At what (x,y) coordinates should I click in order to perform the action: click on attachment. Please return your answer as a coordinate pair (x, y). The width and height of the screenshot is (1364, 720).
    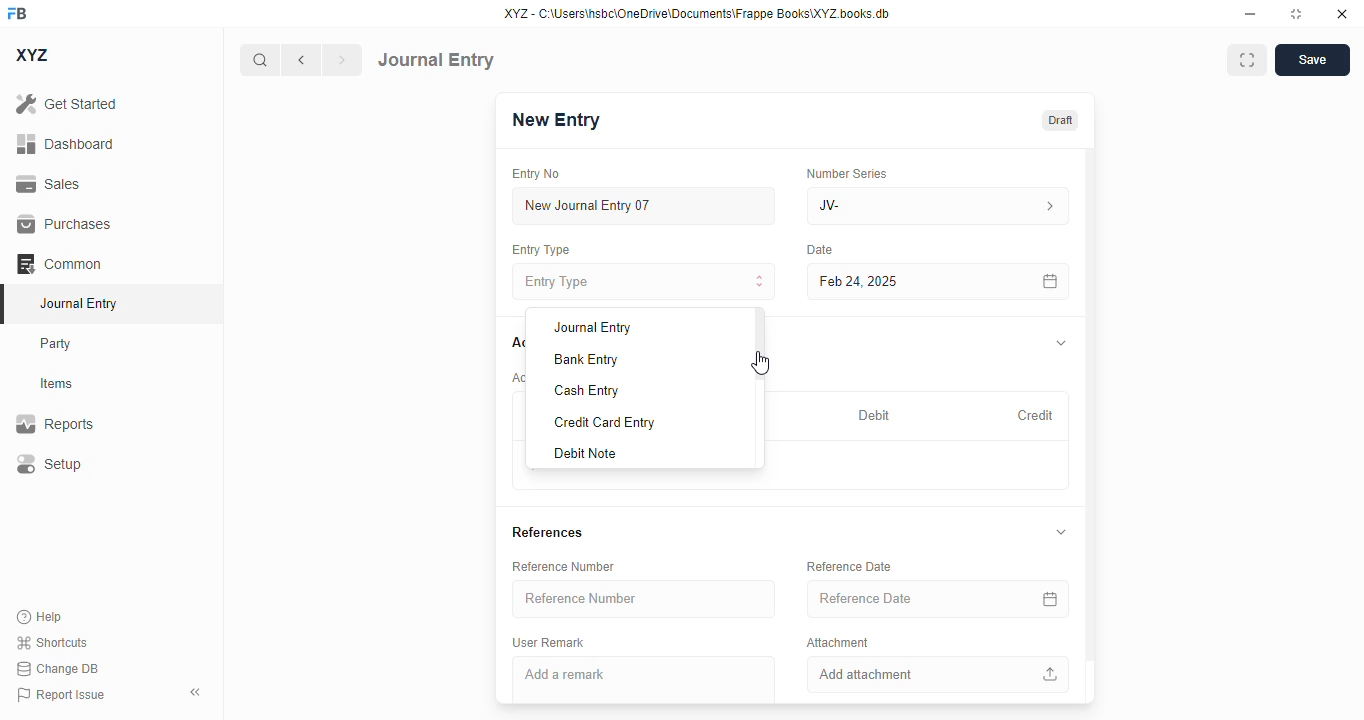
    Looking at the image, I should click on (838, 642).